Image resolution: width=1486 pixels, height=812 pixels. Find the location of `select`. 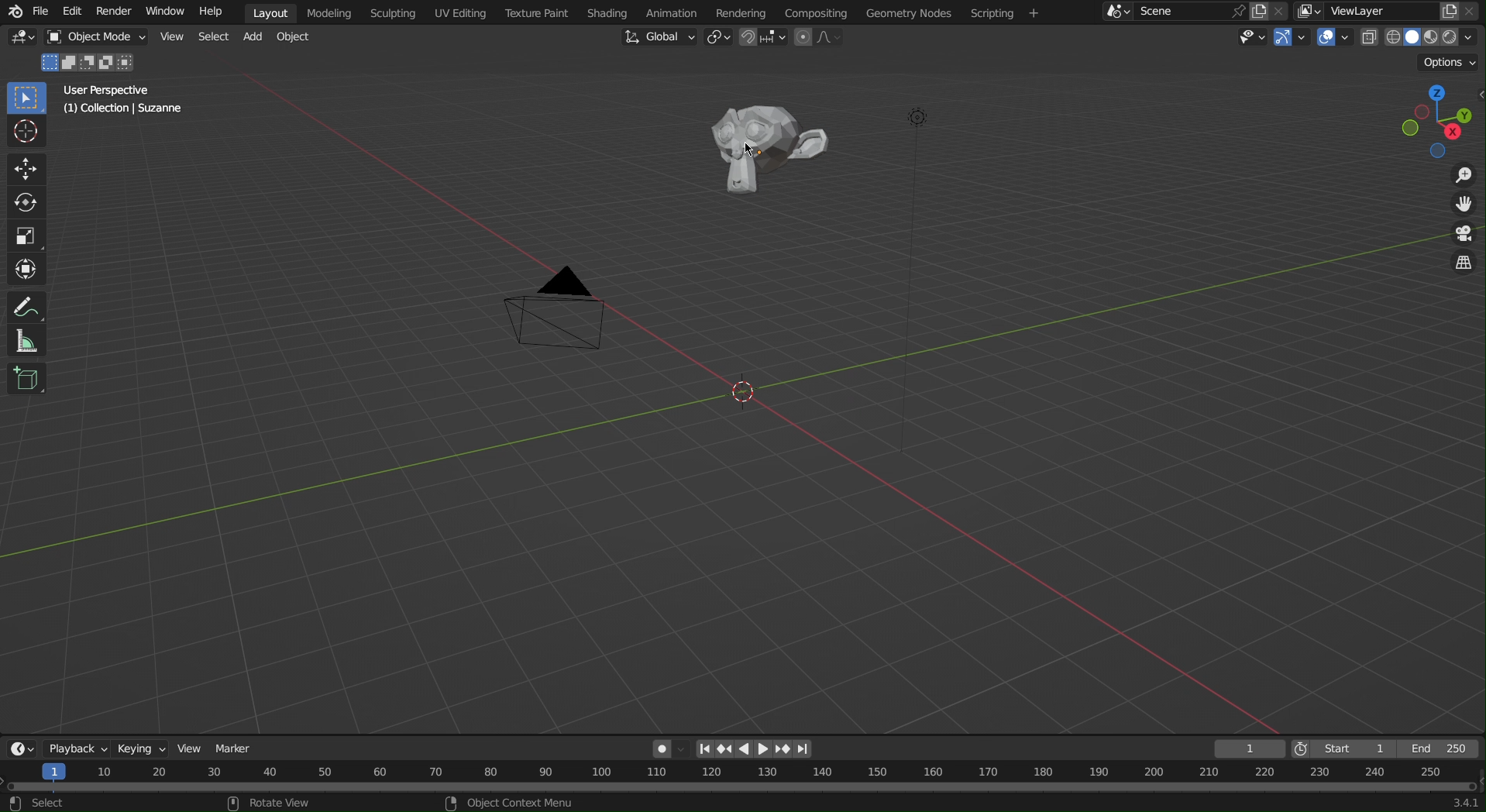

select is located at coordinates (50, 803).